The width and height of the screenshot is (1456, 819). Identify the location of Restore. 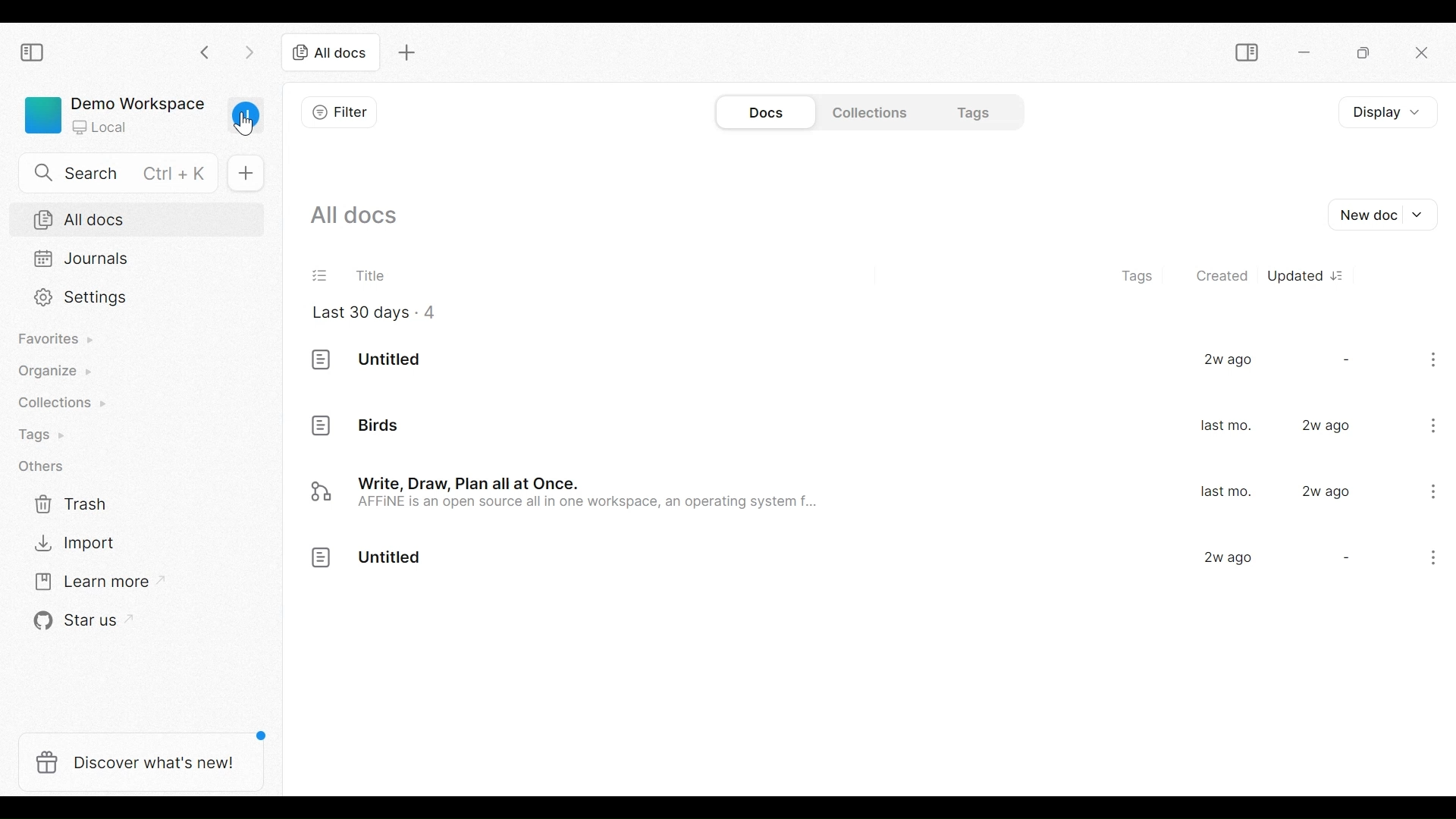
(1362, 53).